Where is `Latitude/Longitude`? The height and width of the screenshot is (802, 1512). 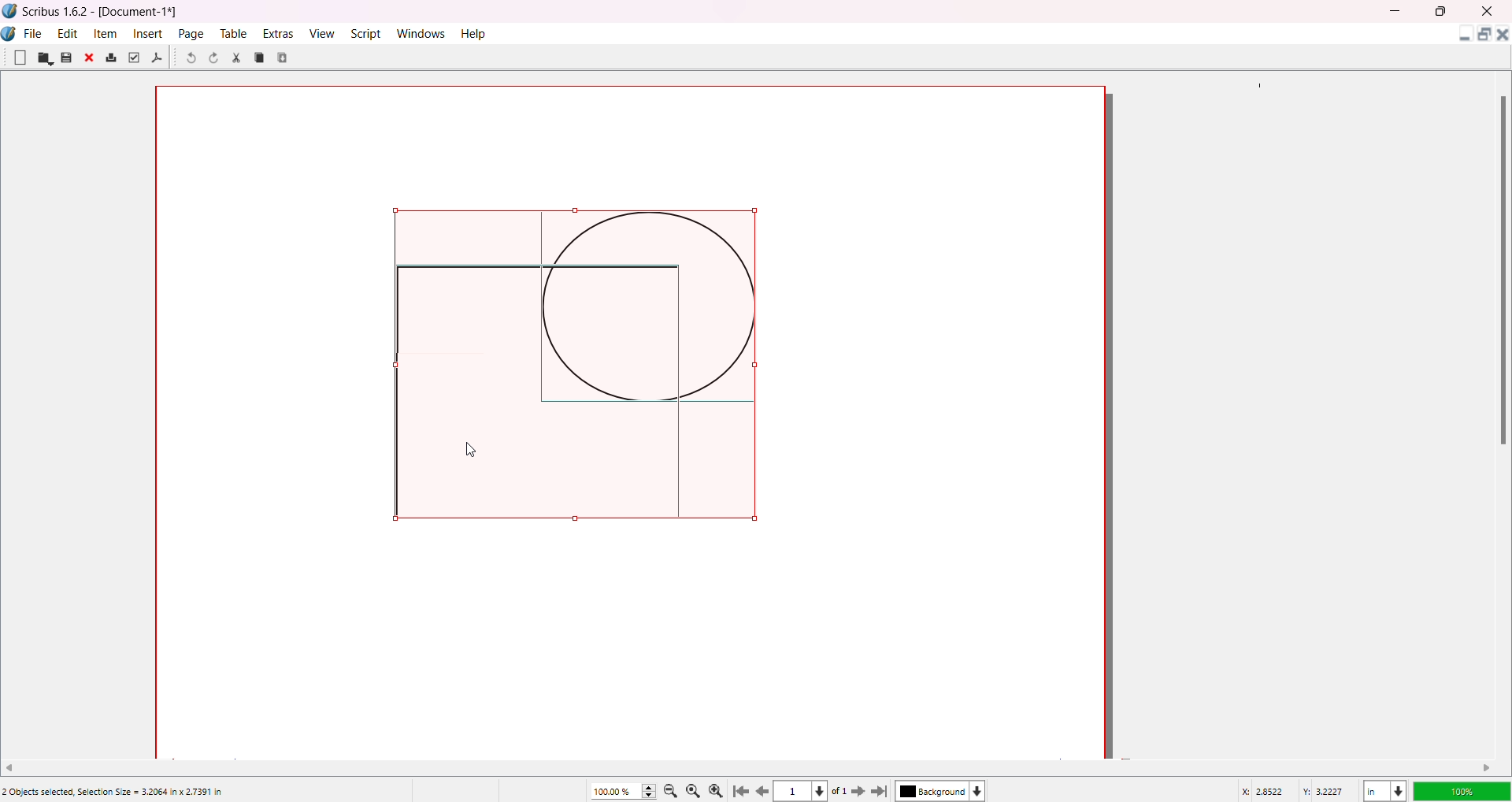 Latitude/Longitude is located at coordinates (1295, 790).